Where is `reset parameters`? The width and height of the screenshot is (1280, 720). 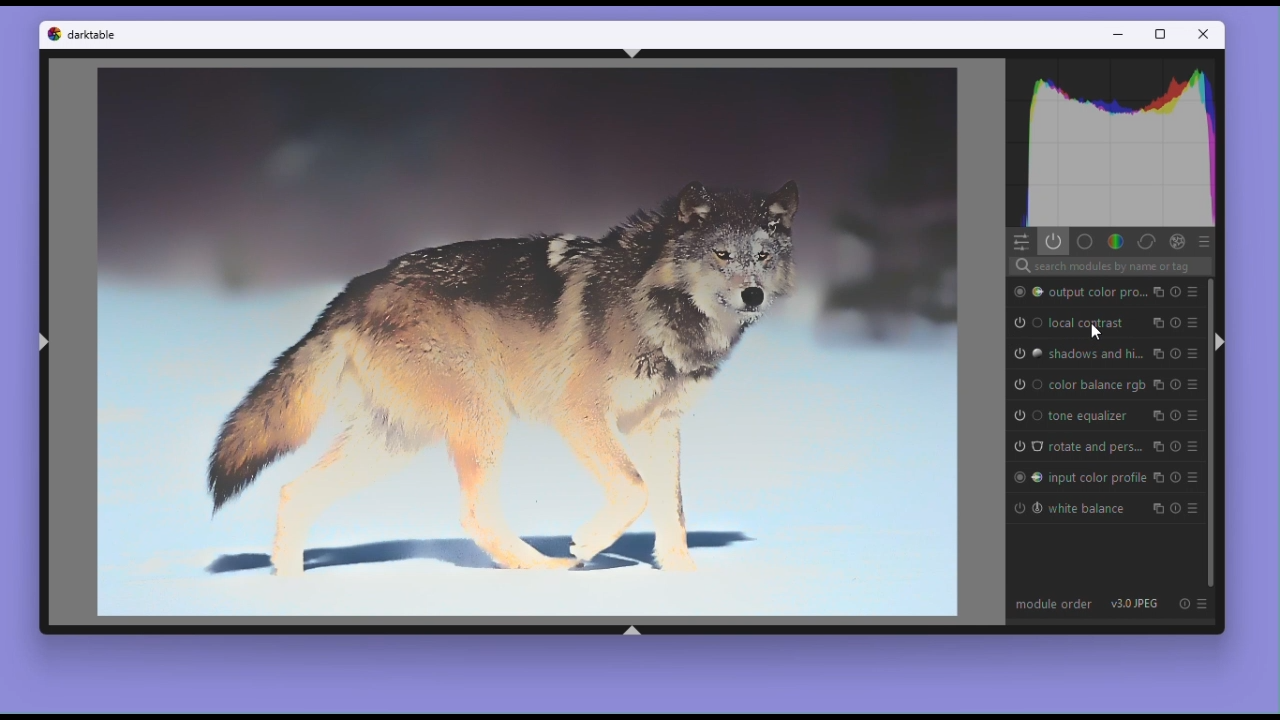
reset parameters is located at coordinates (1175, 323).